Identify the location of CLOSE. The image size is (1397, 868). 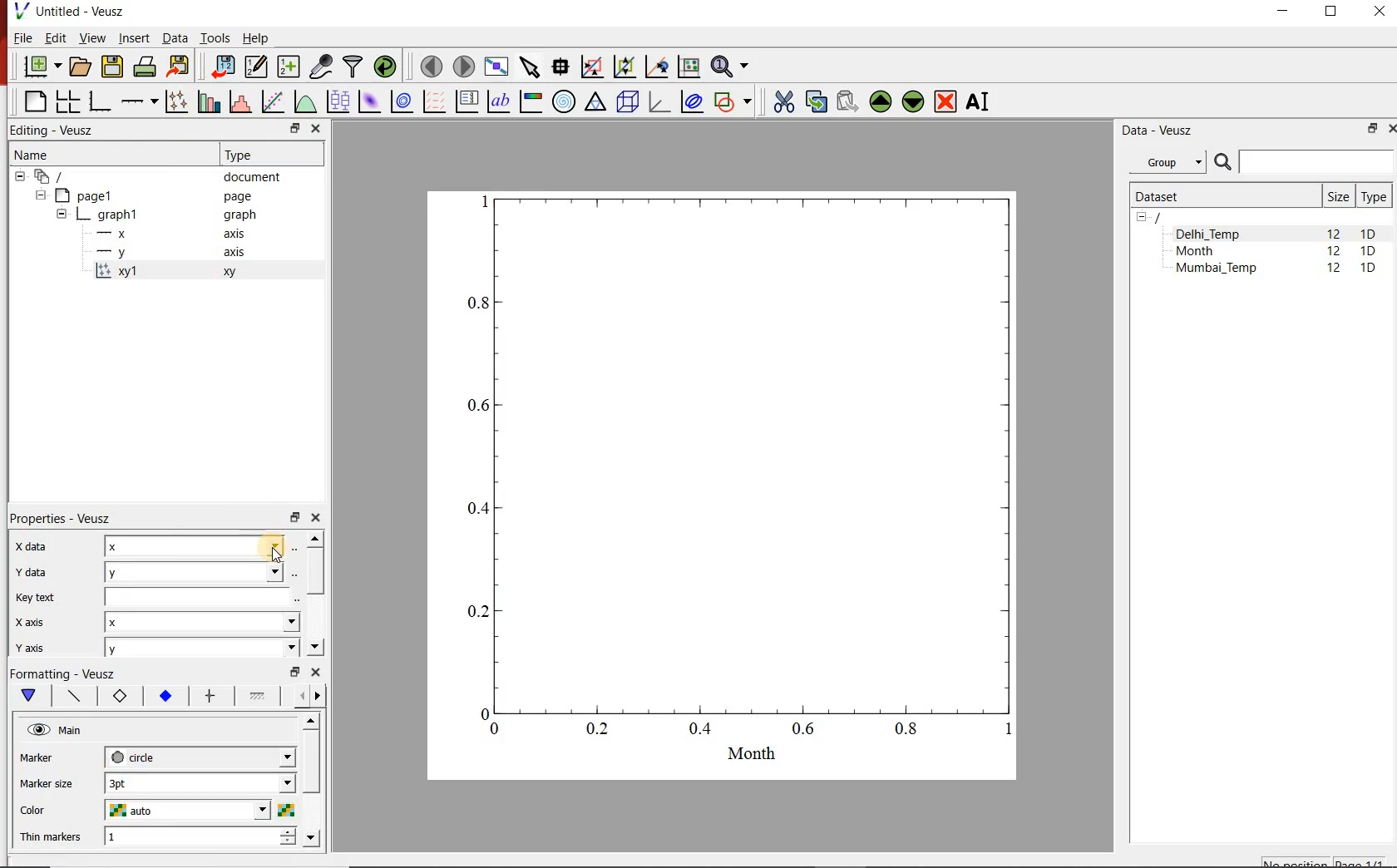
(1377, 11).